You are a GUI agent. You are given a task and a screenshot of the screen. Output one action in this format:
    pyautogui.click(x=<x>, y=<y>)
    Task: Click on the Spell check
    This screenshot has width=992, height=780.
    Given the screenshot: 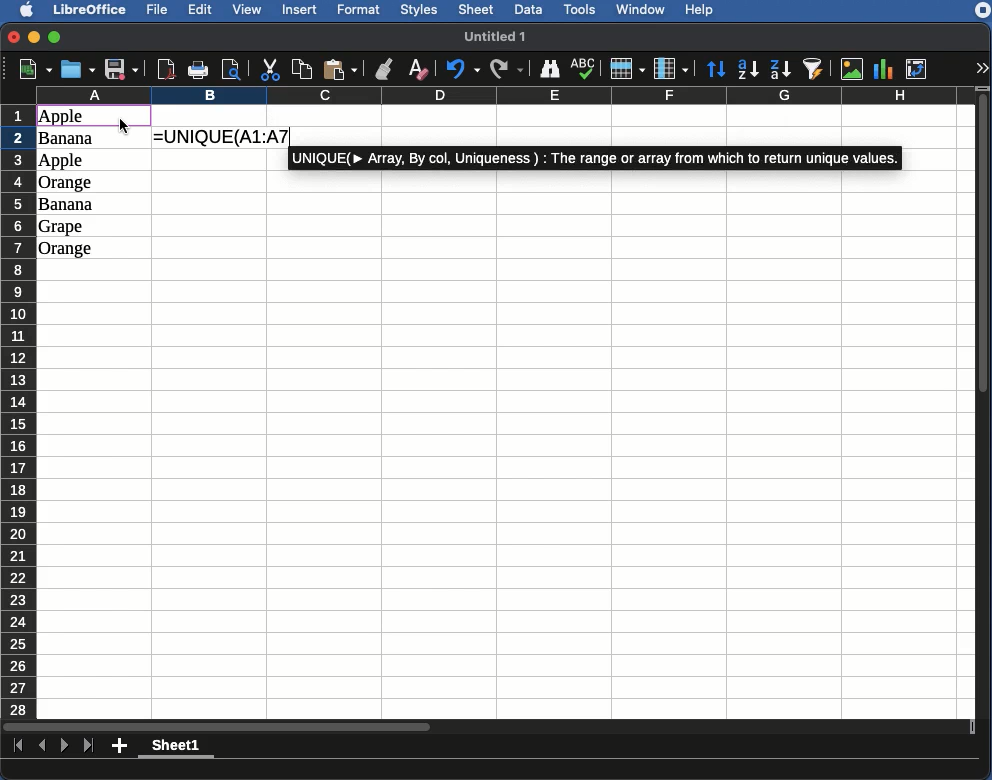 What is the action you would take?
    pyautogui.click(x=583, y=69)
    